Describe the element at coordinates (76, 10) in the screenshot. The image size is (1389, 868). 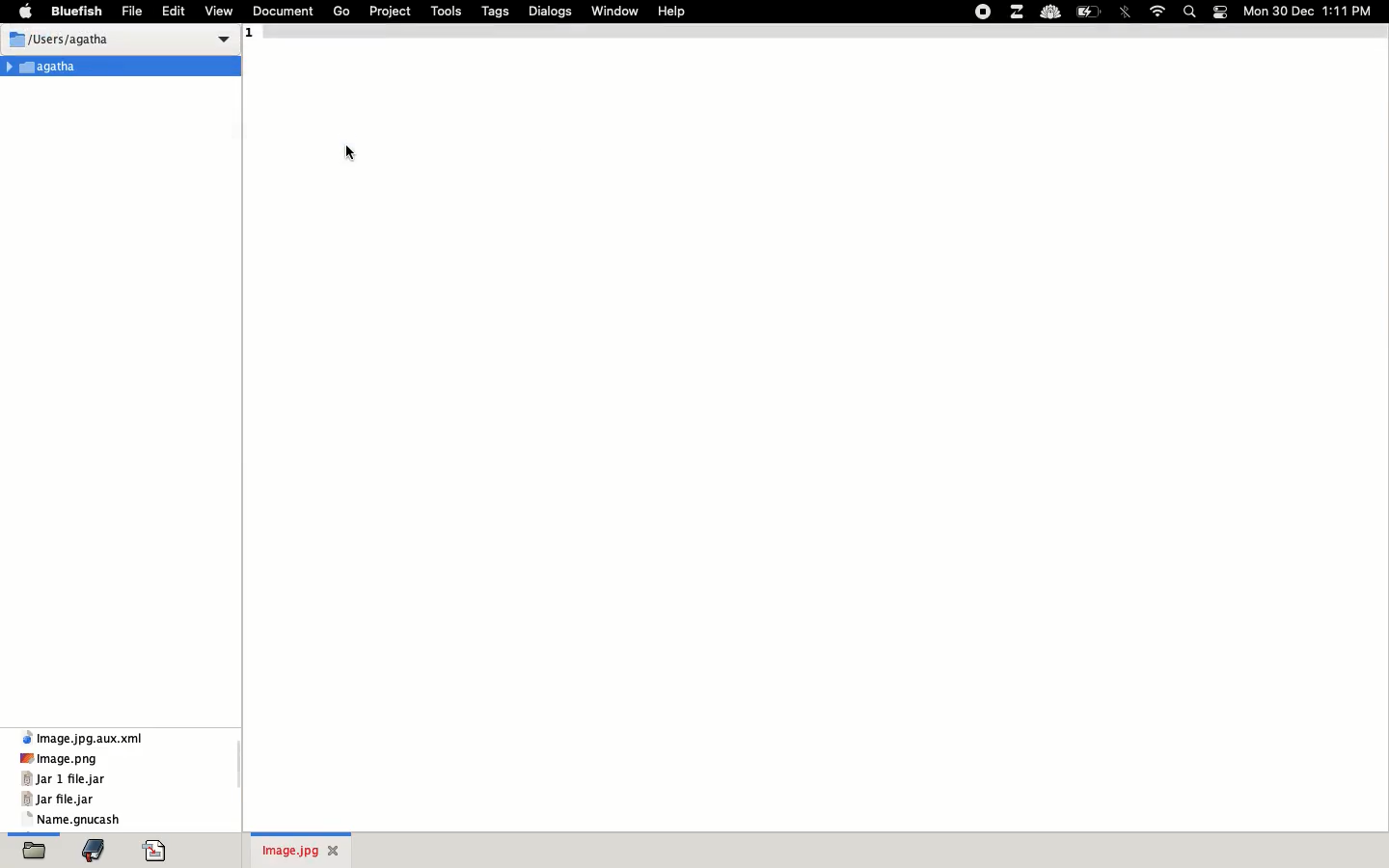
I see `bluefish` at that location.